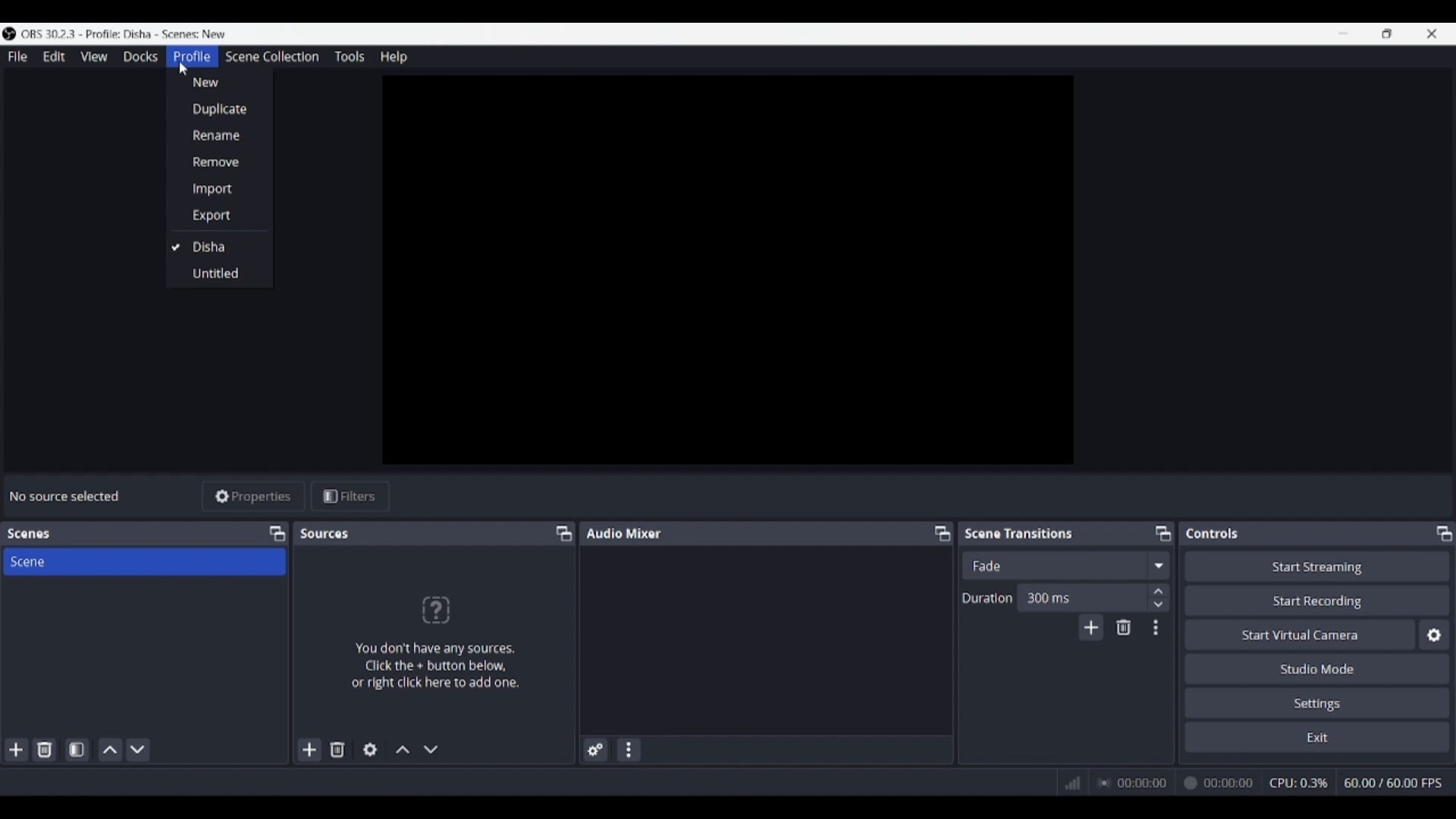  What do you see at coordinates (310, 749) in the screenshot?
I see `Add source` at bounding box center [310, 749].